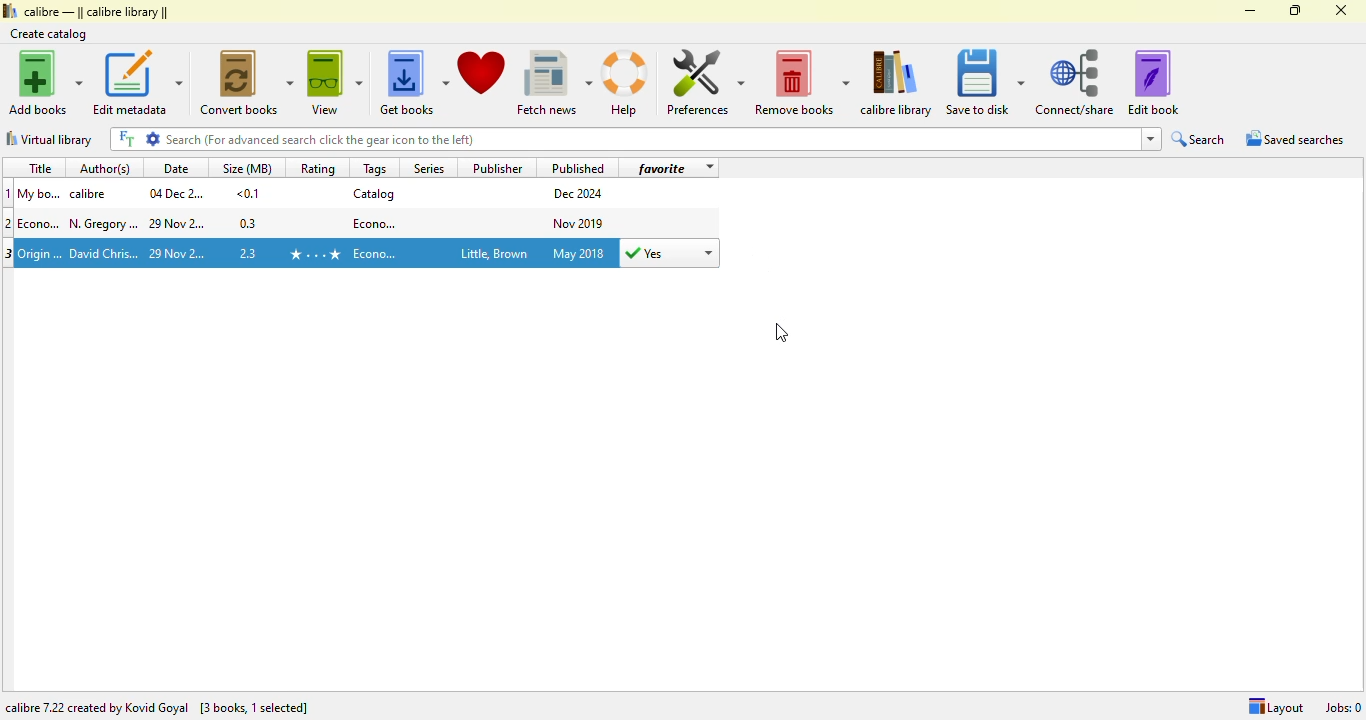 The height and width of the screenshot is (720, 1366). What do you see at coordinates (985, 83) in the screenshot?
I see `save to disk` at bounding box center [985, 83].